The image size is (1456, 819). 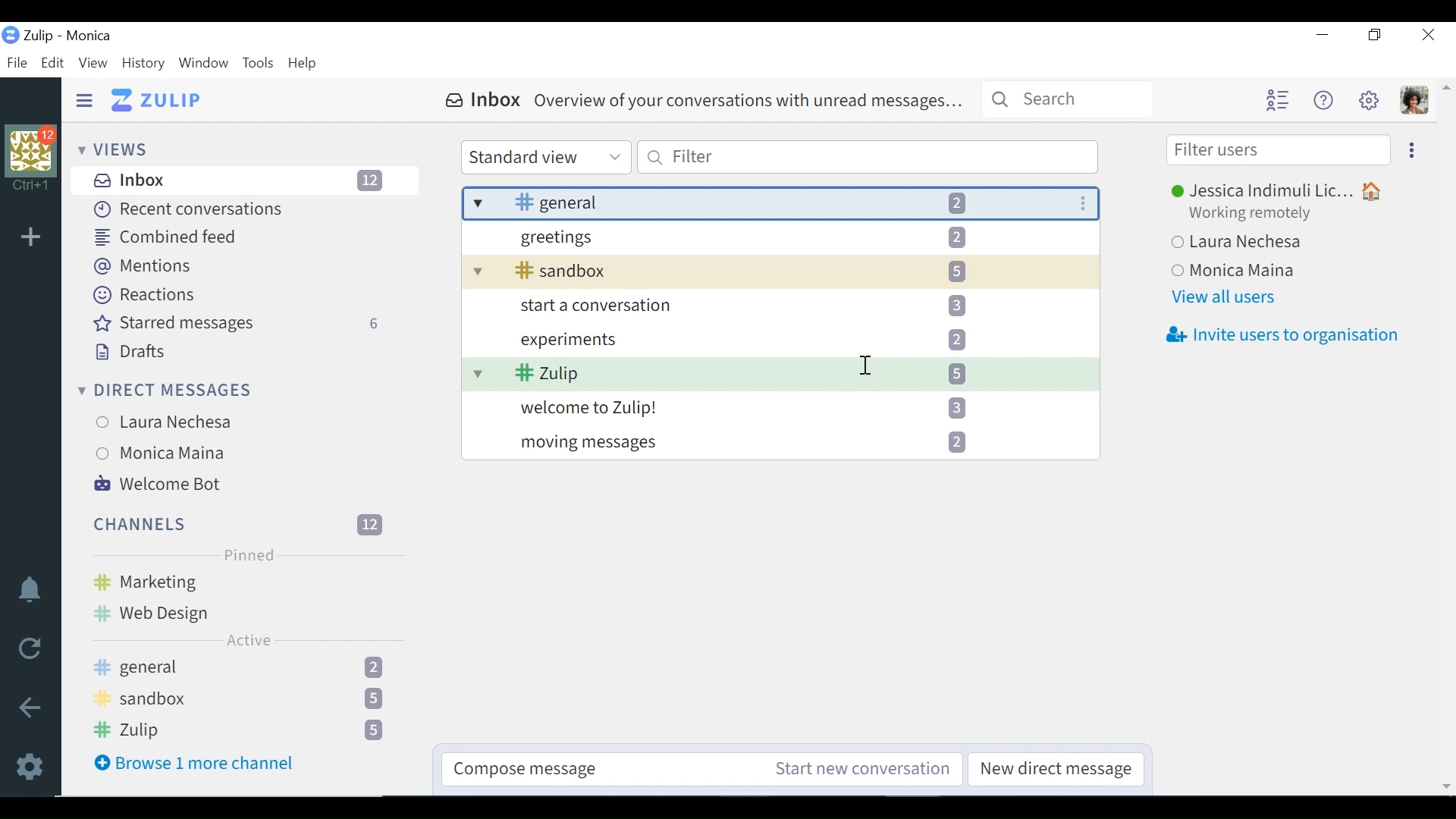 I want to click on Filter users, so click(x=1280, y=150).